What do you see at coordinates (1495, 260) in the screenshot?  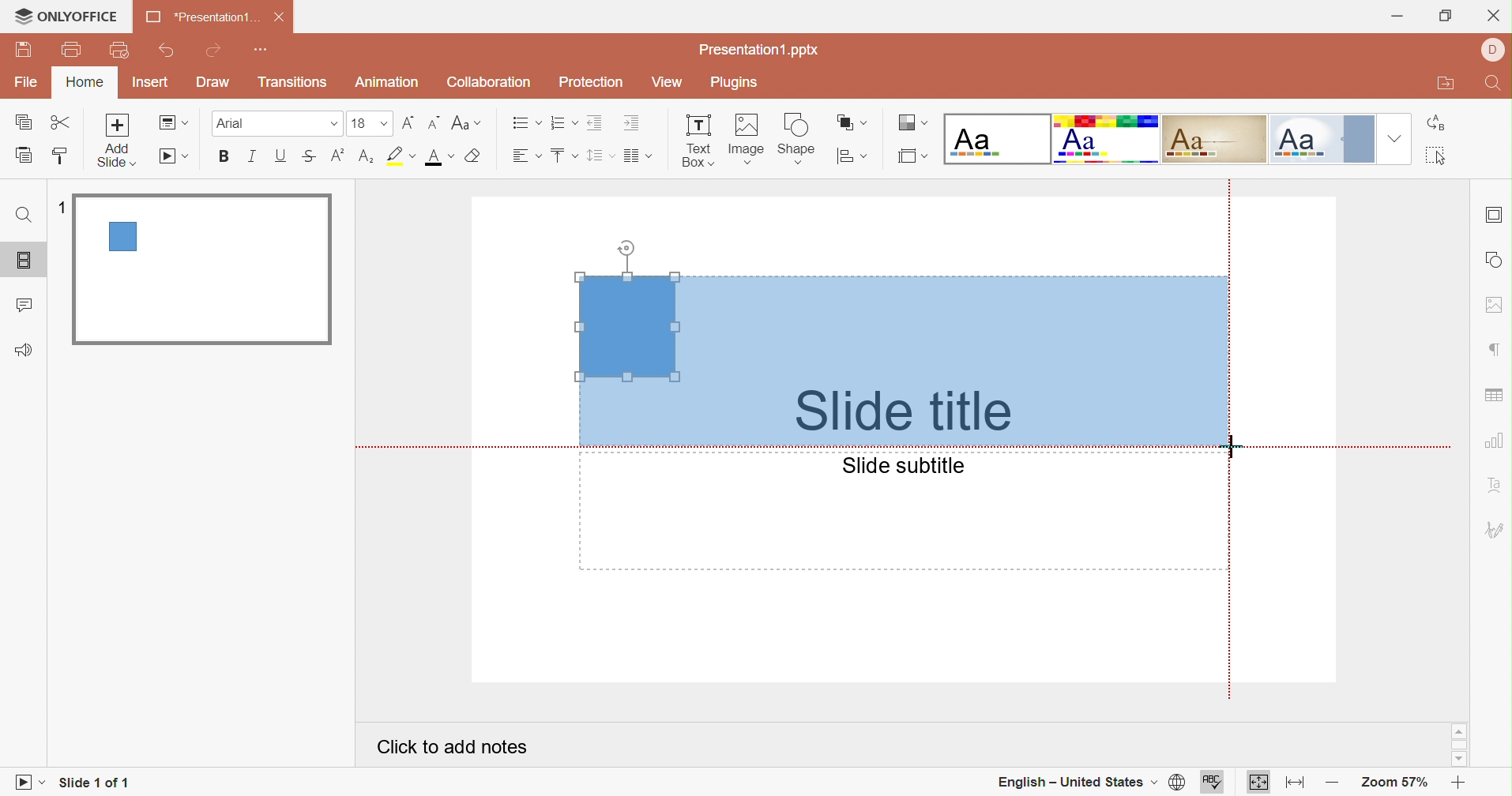 I see `Shape settings` at bounding box center [1495, 260].